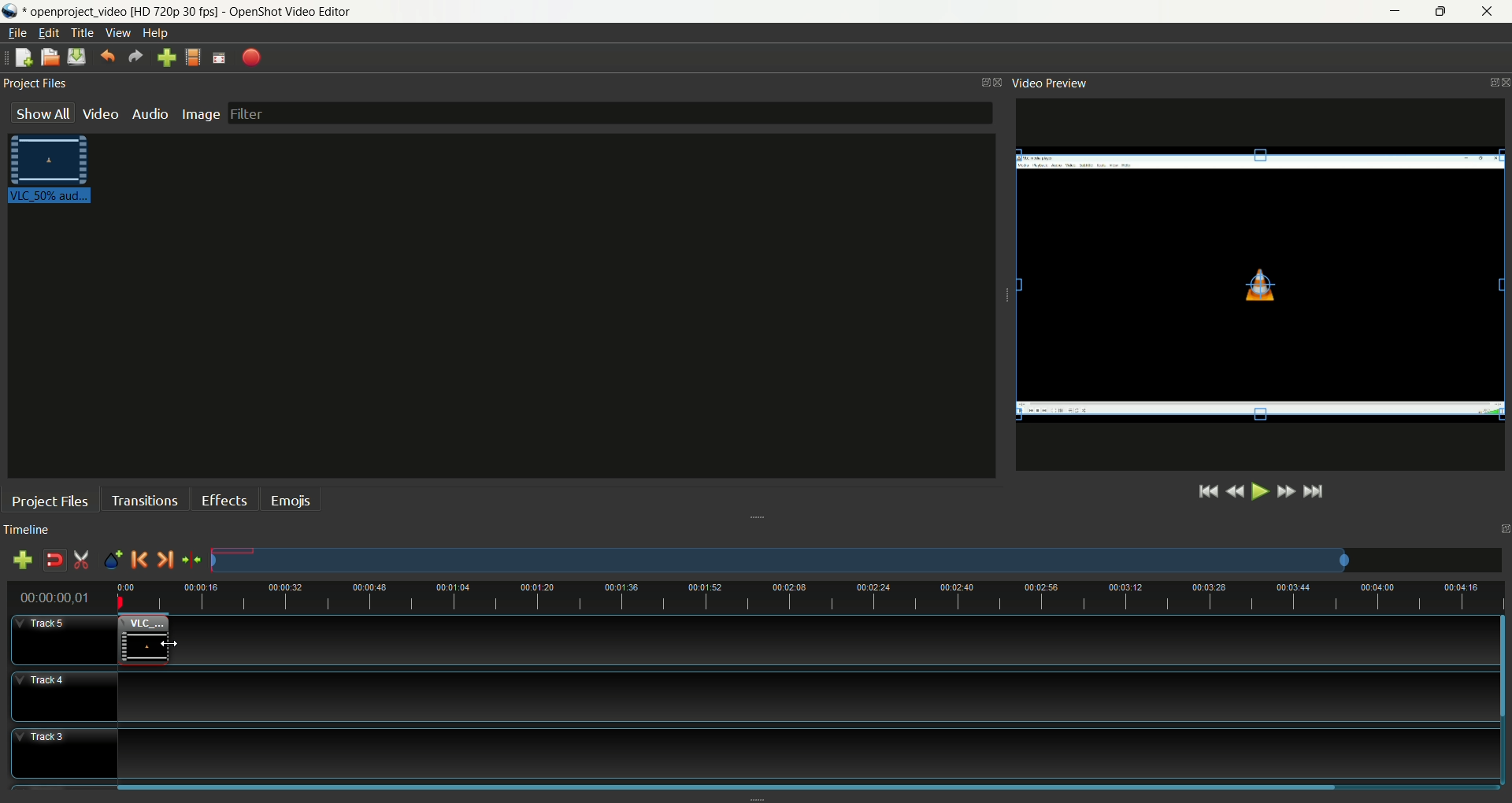 Image resolution: width=1512 pixels, height=803 pixels. Describe the element at coordinates (31, 529) in the screenshot. I see `timeline` at that location.